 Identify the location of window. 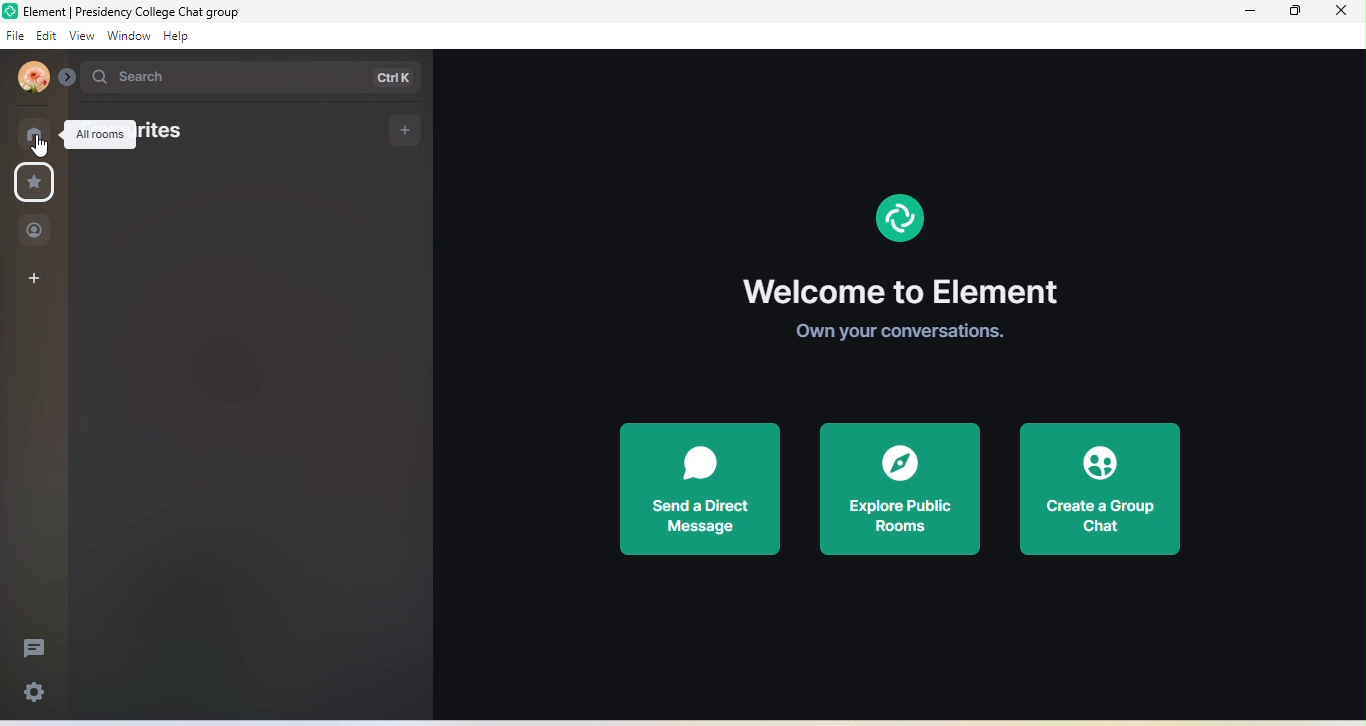
(129, 36).